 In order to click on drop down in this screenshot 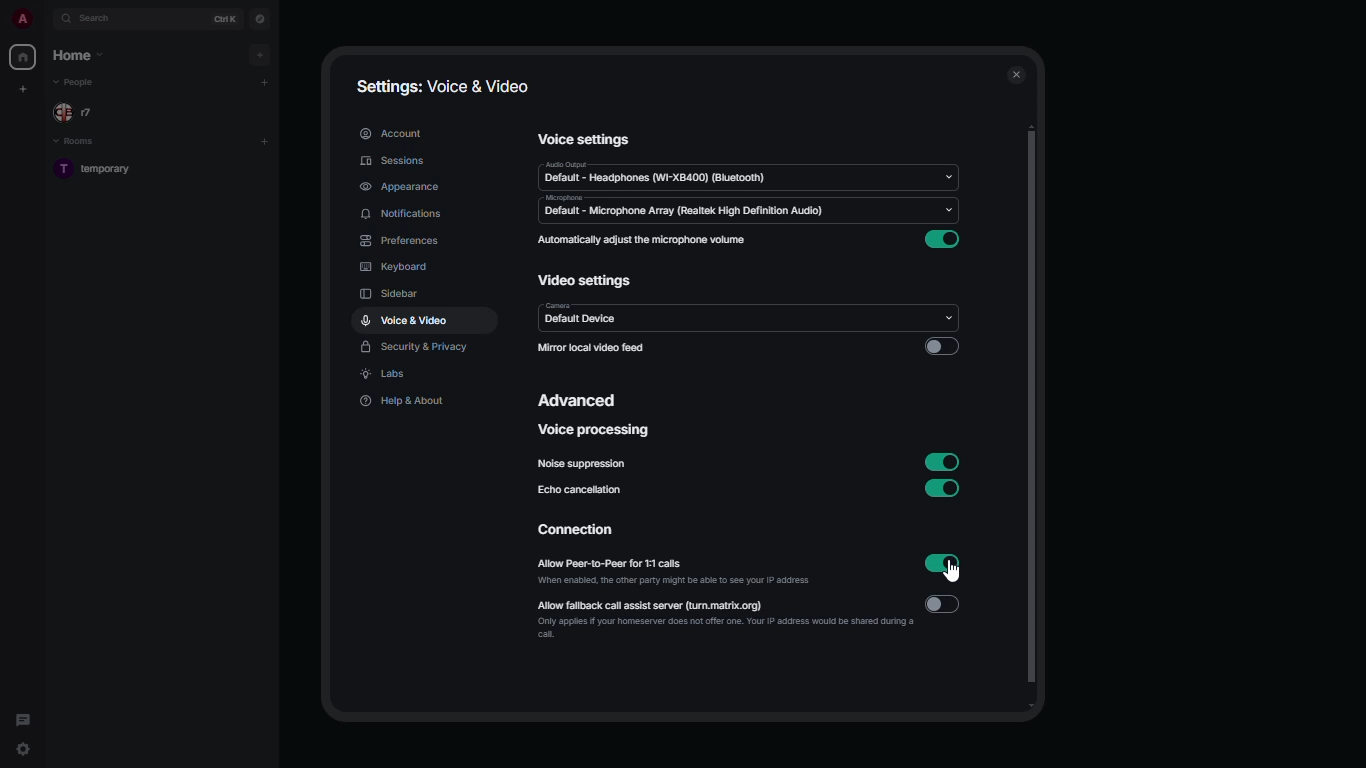, I will do `click(947, 178)`.